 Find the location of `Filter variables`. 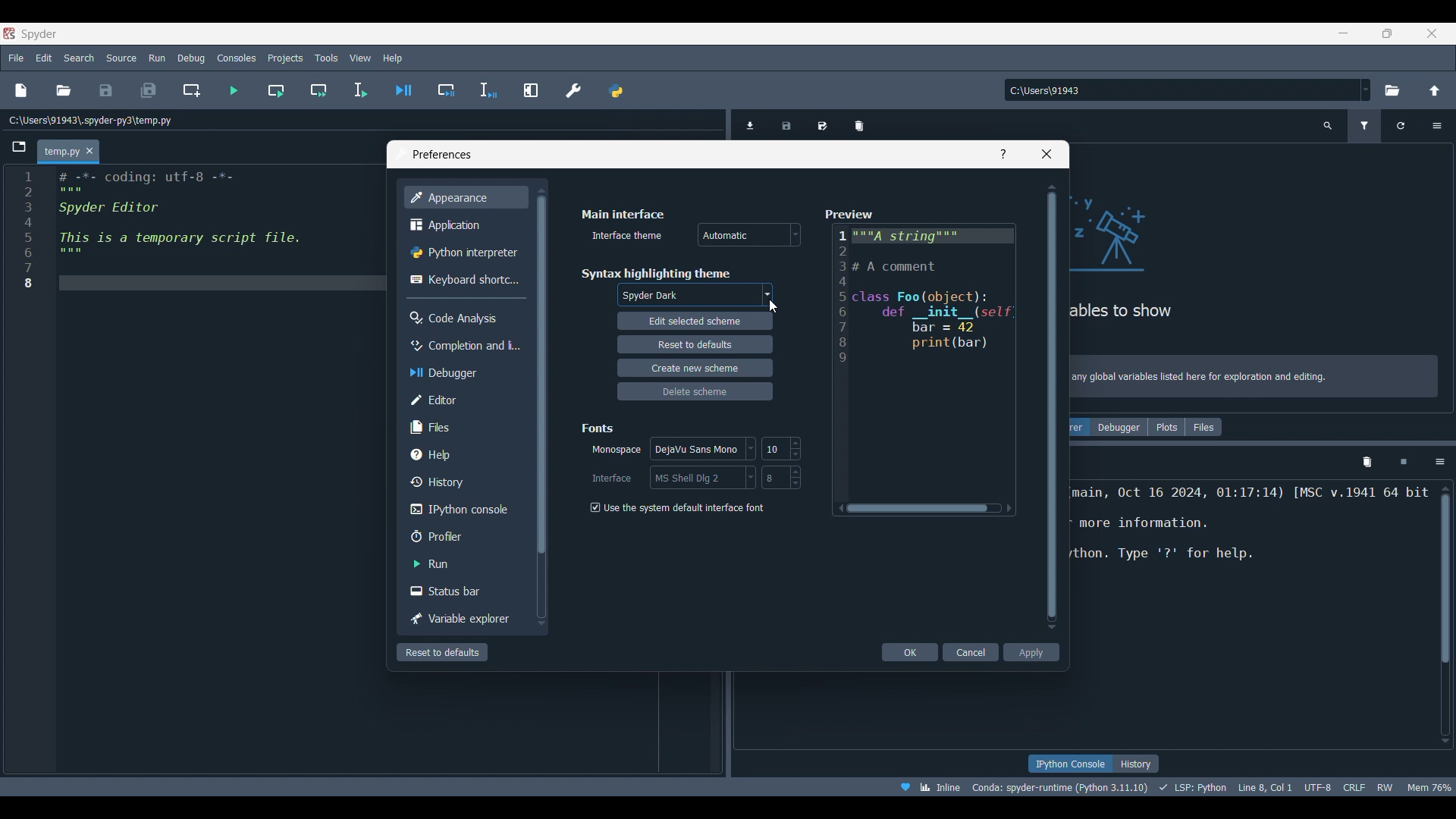

Filter variables is located at coordinates (1364, 126).